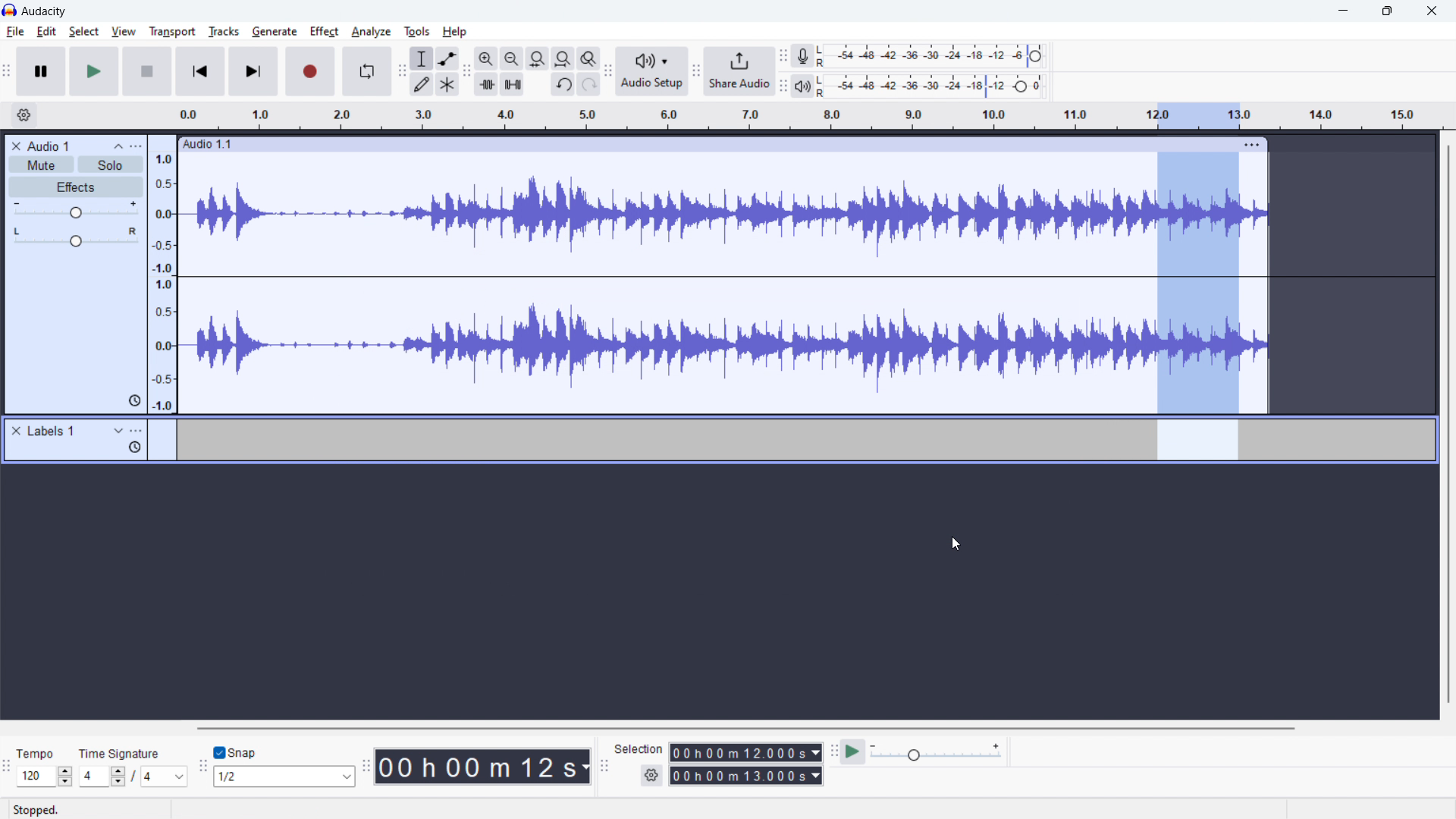  I want to click on tempo, so click(39, 753).